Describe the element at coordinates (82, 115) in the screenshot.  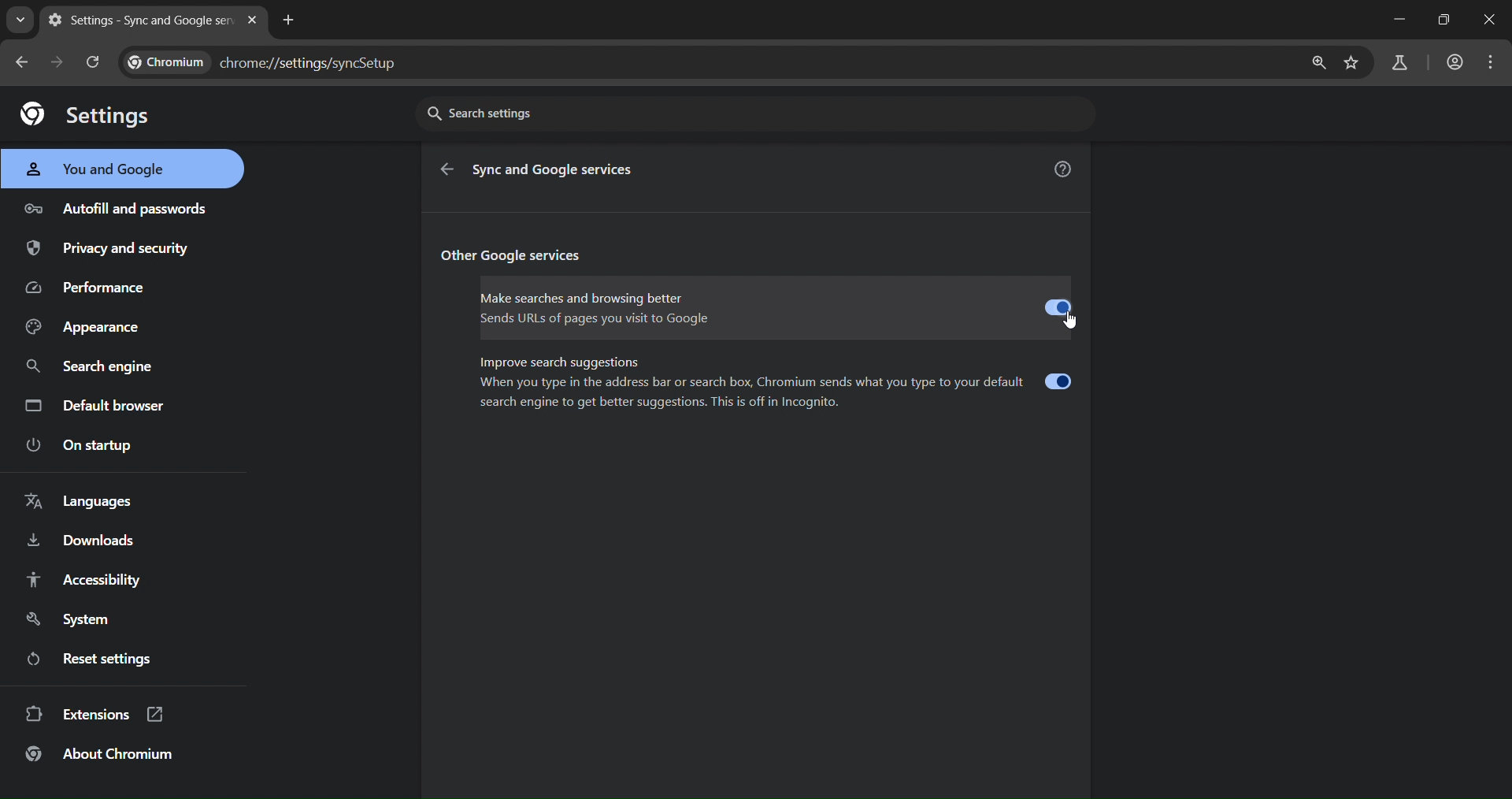
I see `settings` at that location.